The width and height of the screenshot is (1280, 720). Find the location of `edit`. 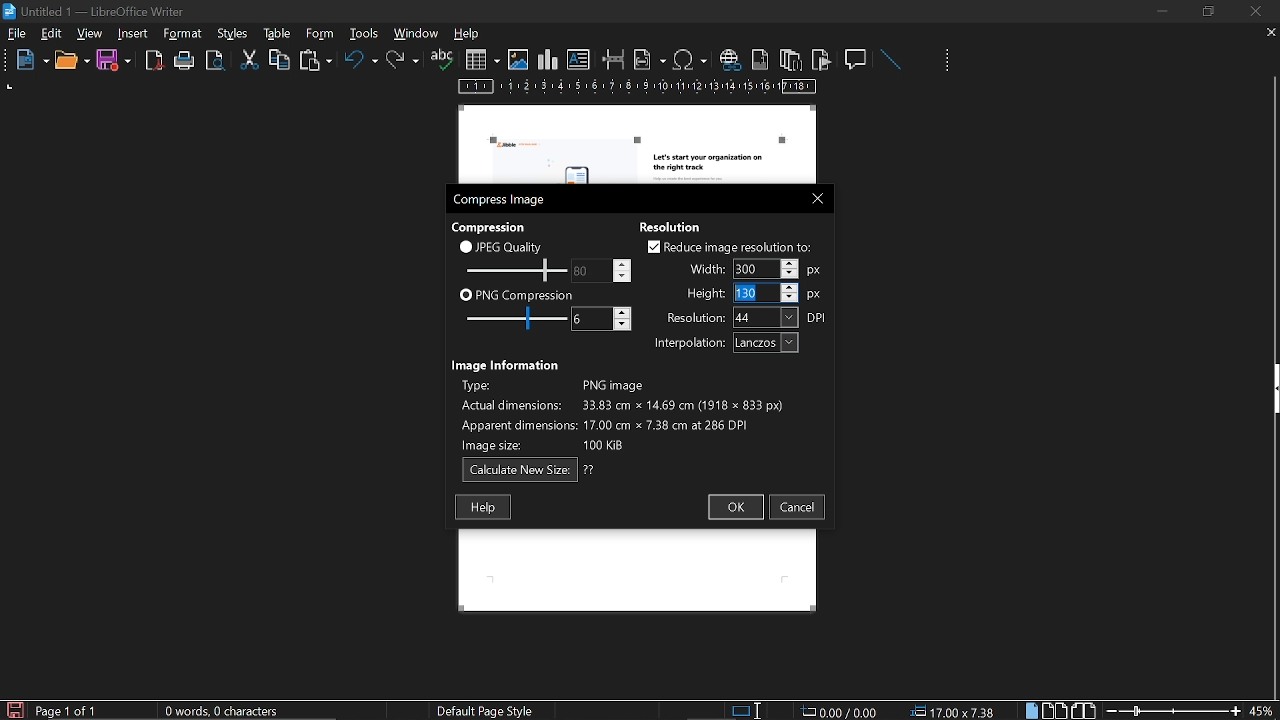

edit is located at coordinates (52, 35).